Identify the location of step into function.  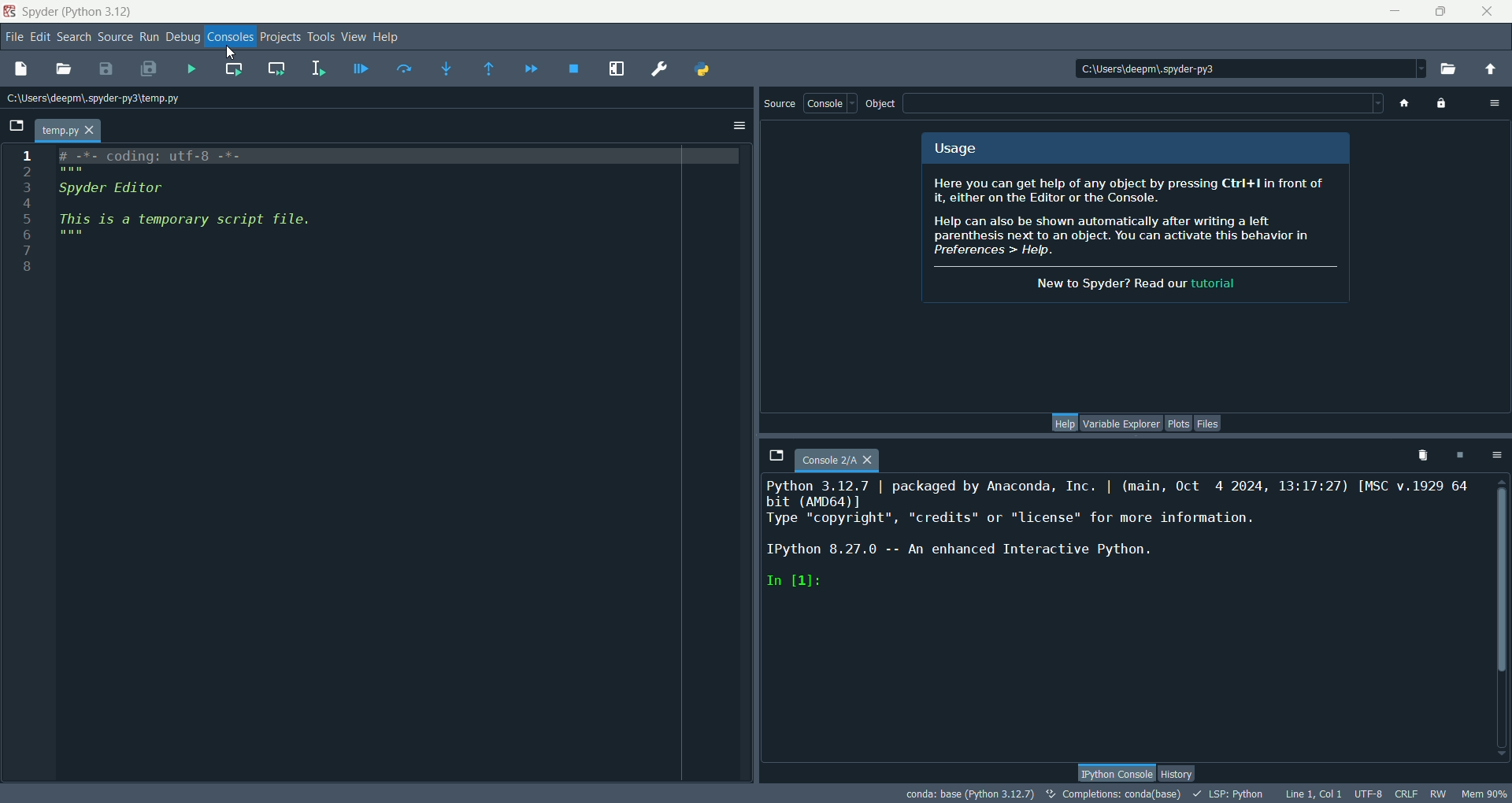
(450, 70).